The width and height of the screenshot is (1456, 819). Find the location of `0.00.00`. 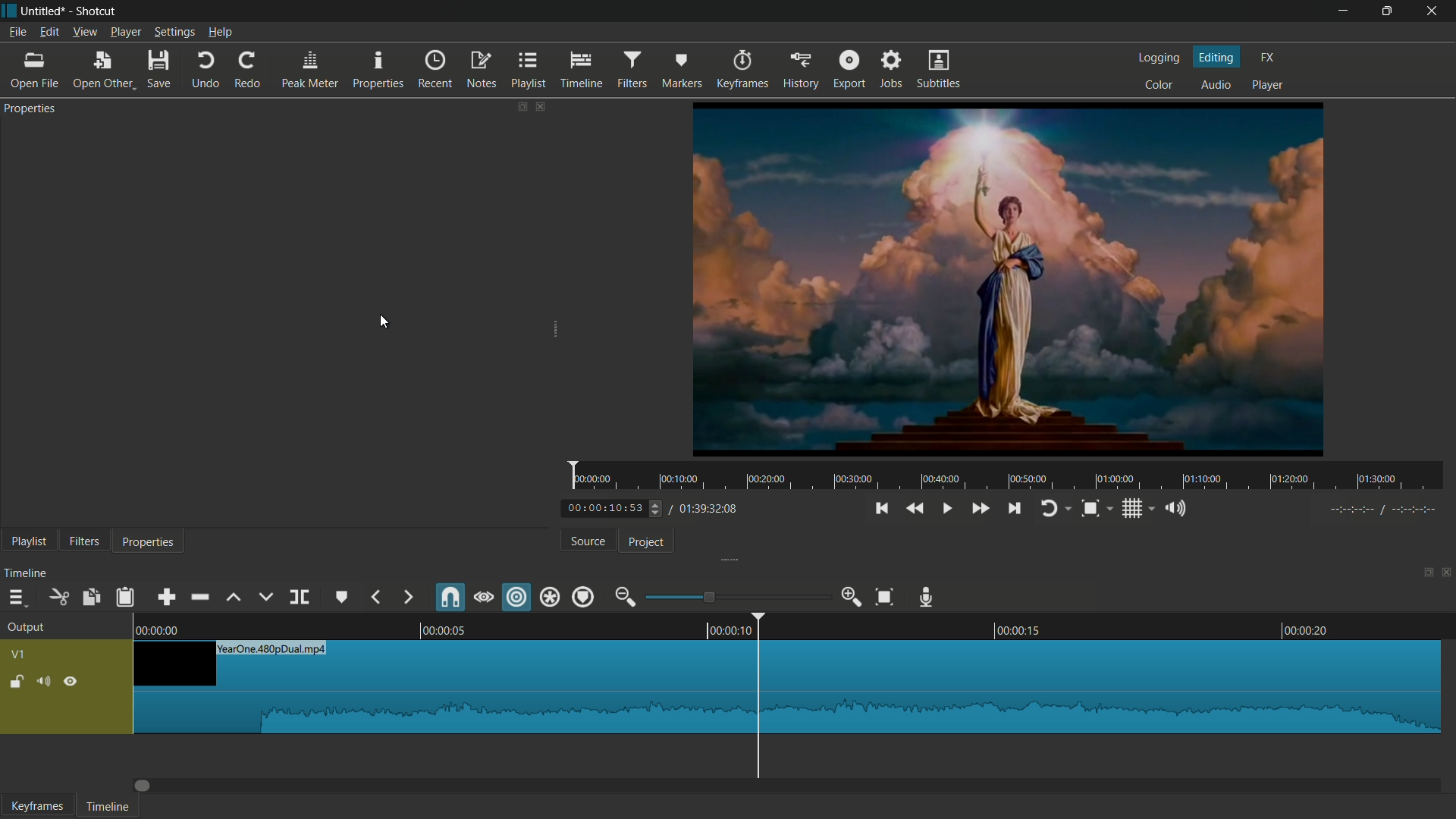

0.00.00 is located at coordinates (157, 629).